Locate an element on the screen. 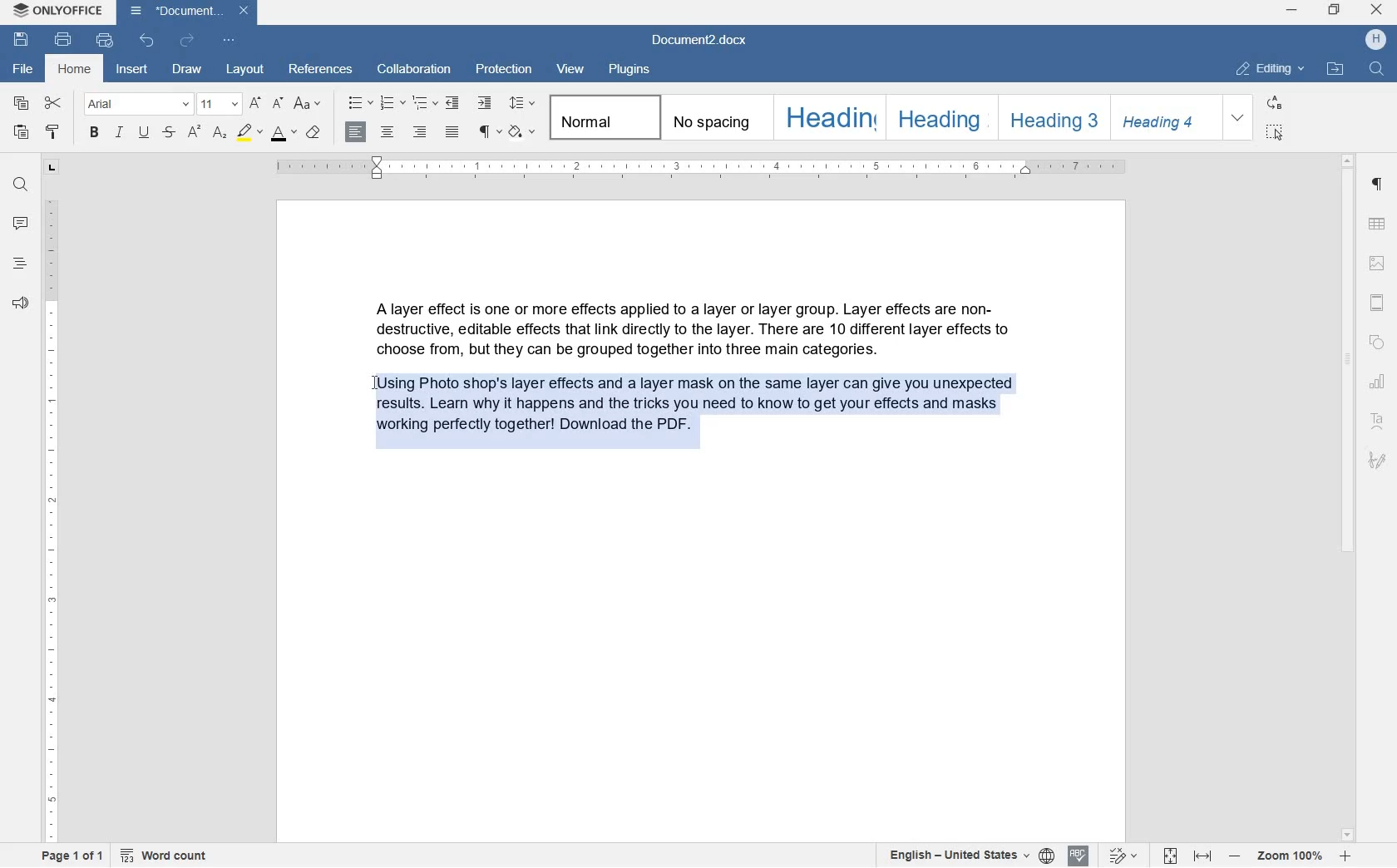  HOME is located at coordinates (77, 71).